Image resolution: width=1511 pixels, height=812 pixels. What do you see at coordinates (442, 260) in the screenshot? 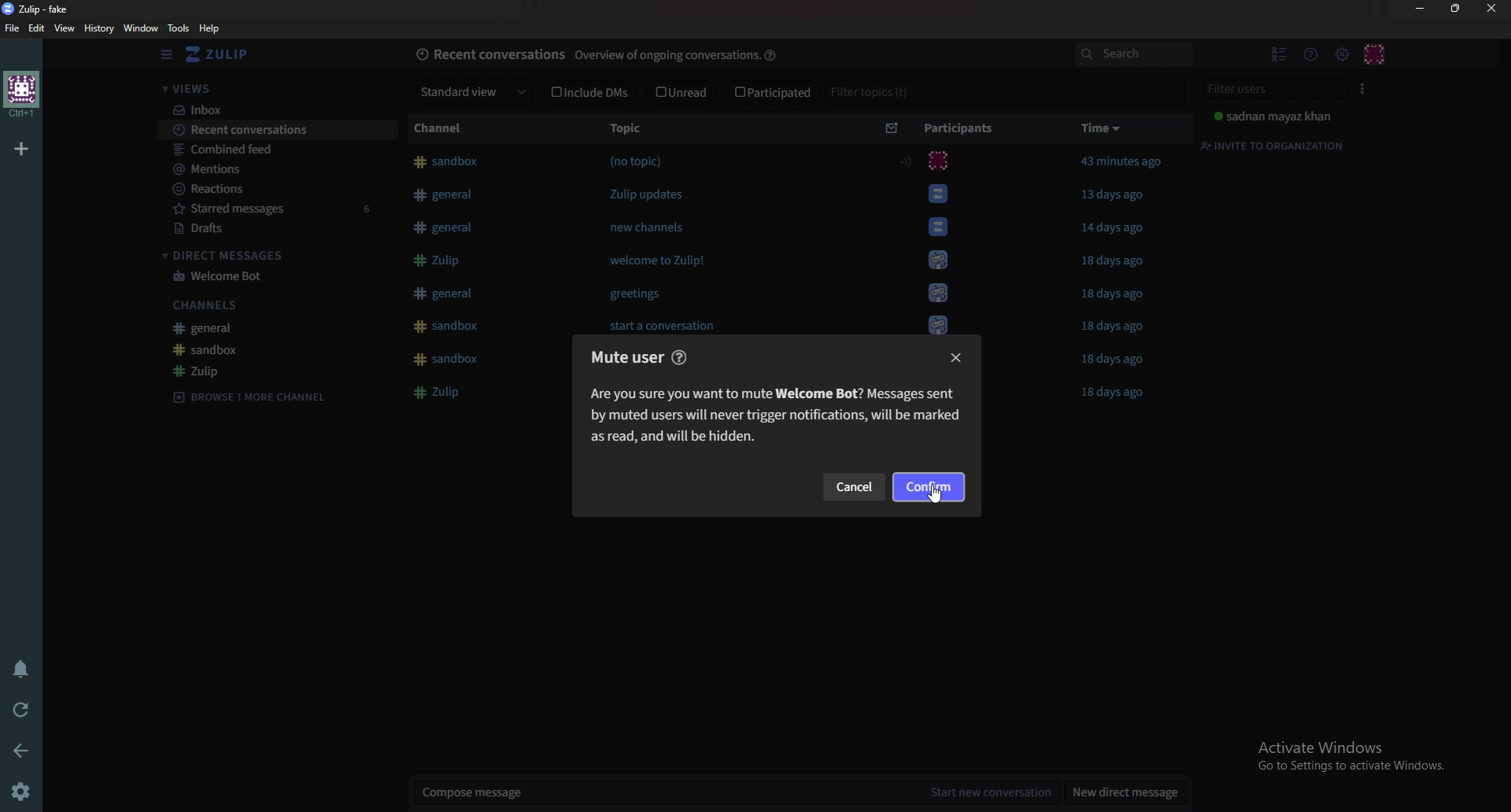
I see `# Zulip` at bounding box center [442, 260].